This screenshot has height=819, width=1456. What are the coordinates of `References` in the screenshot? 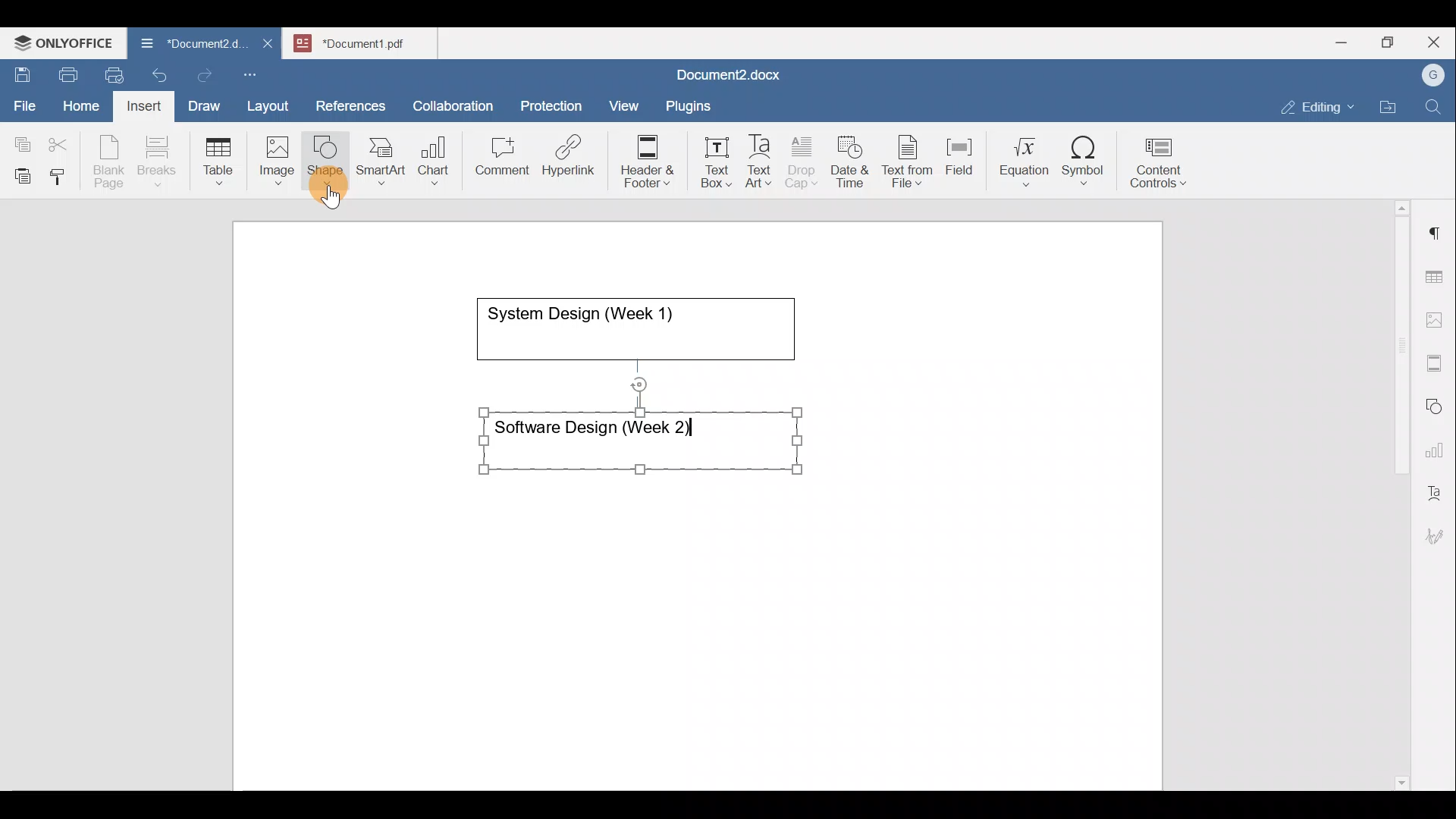 It's located at (350, 104).